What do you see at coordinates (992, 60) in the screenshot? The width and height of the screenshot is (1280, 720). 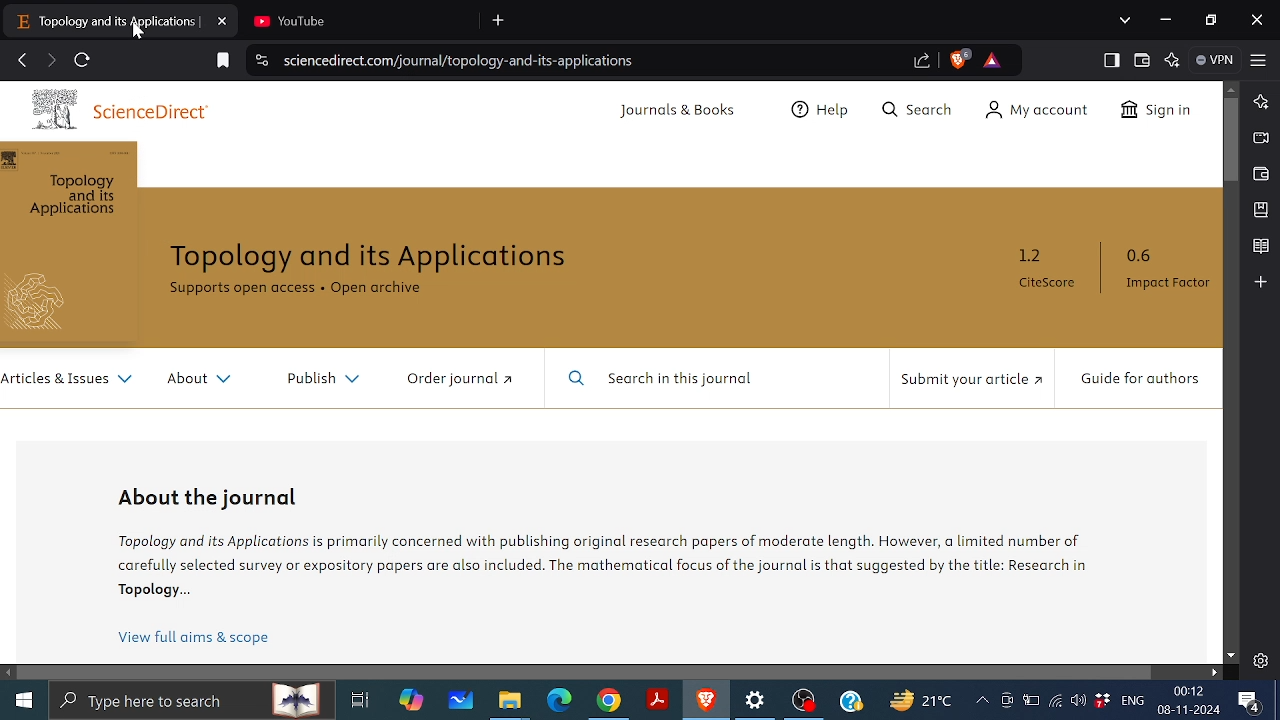 I see `Rewards` at bounding box center [992, 60].